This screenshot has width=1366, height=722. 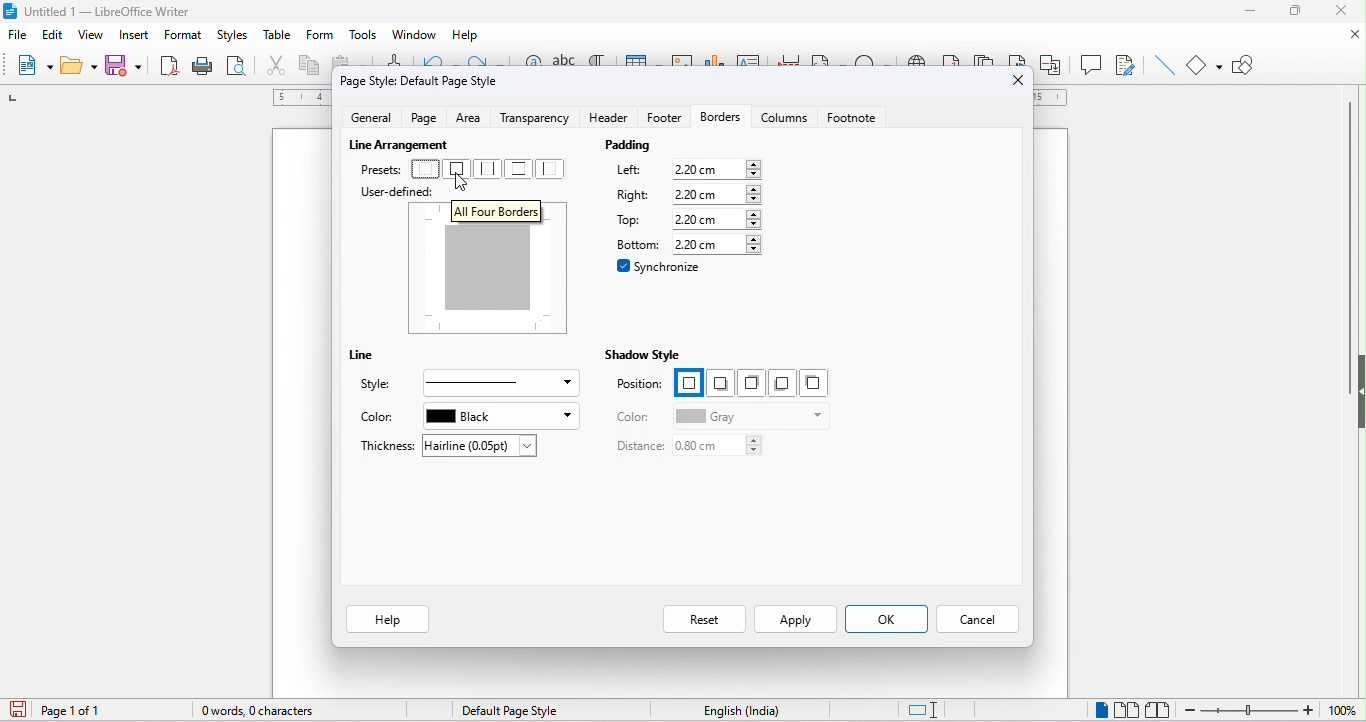 I want to click on , so click(x=96, y=32).